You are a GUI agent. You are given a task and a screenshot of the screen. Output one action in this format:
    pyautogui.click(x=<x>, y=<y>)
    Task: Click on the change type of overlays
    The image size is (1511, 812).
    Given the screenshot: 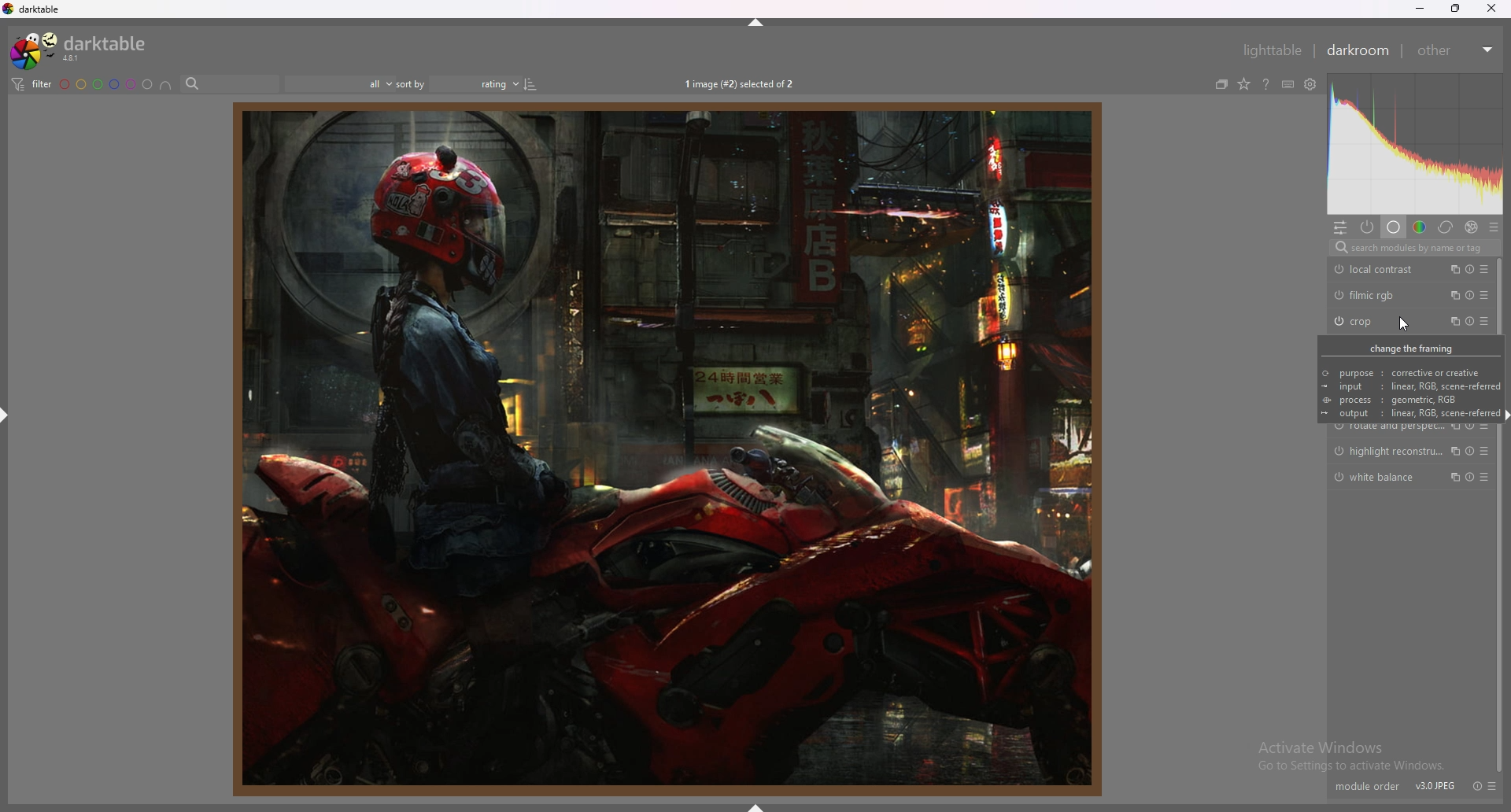 What is the action you would take?
    pyautogui.click(x=1243, y=84)
    